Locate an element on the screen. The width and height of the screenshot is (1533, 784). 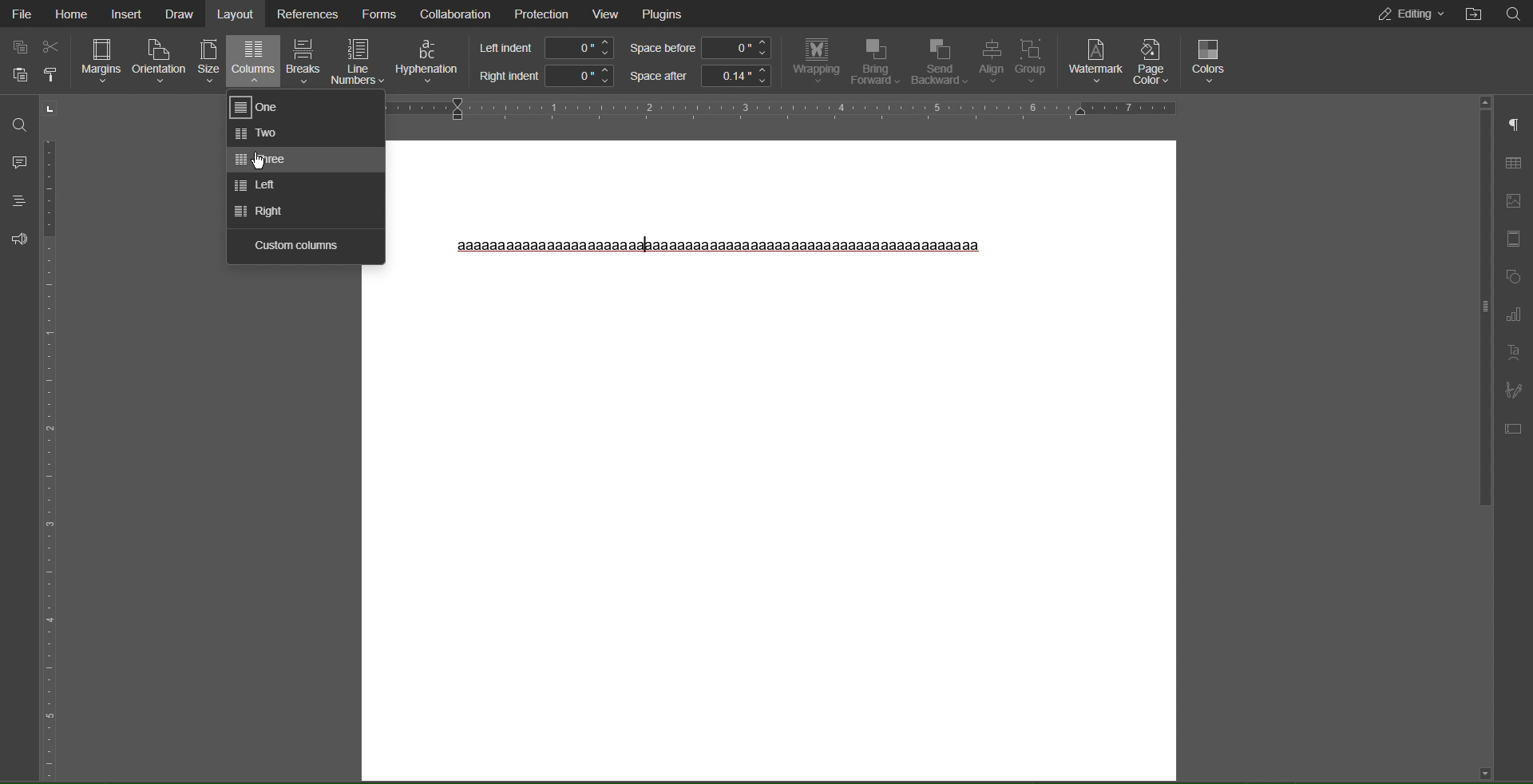
Search is located at coordinates (18, 121).